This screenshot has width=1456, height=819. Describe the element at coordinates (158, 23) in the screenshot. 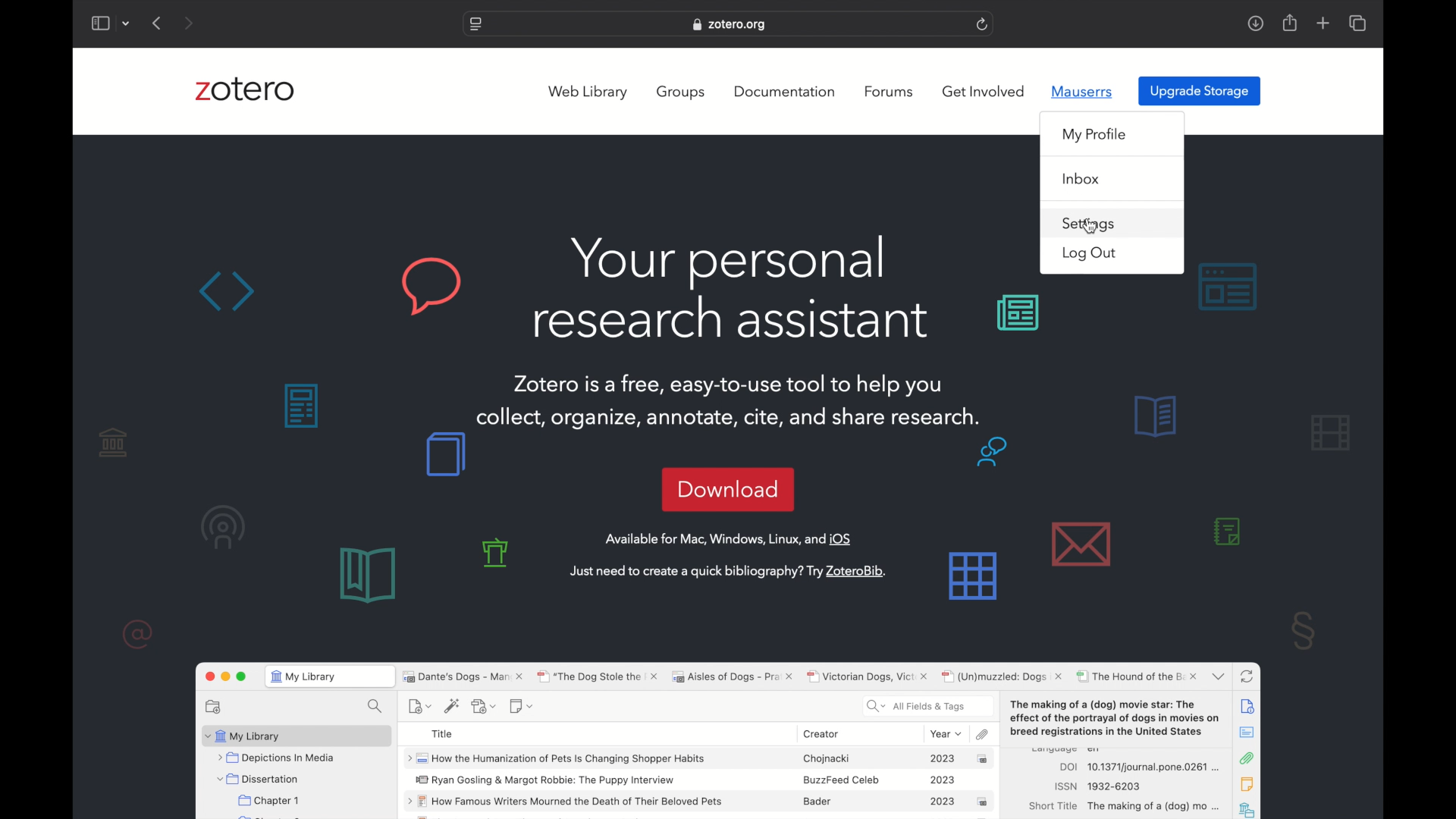

I see `previous` at that location.